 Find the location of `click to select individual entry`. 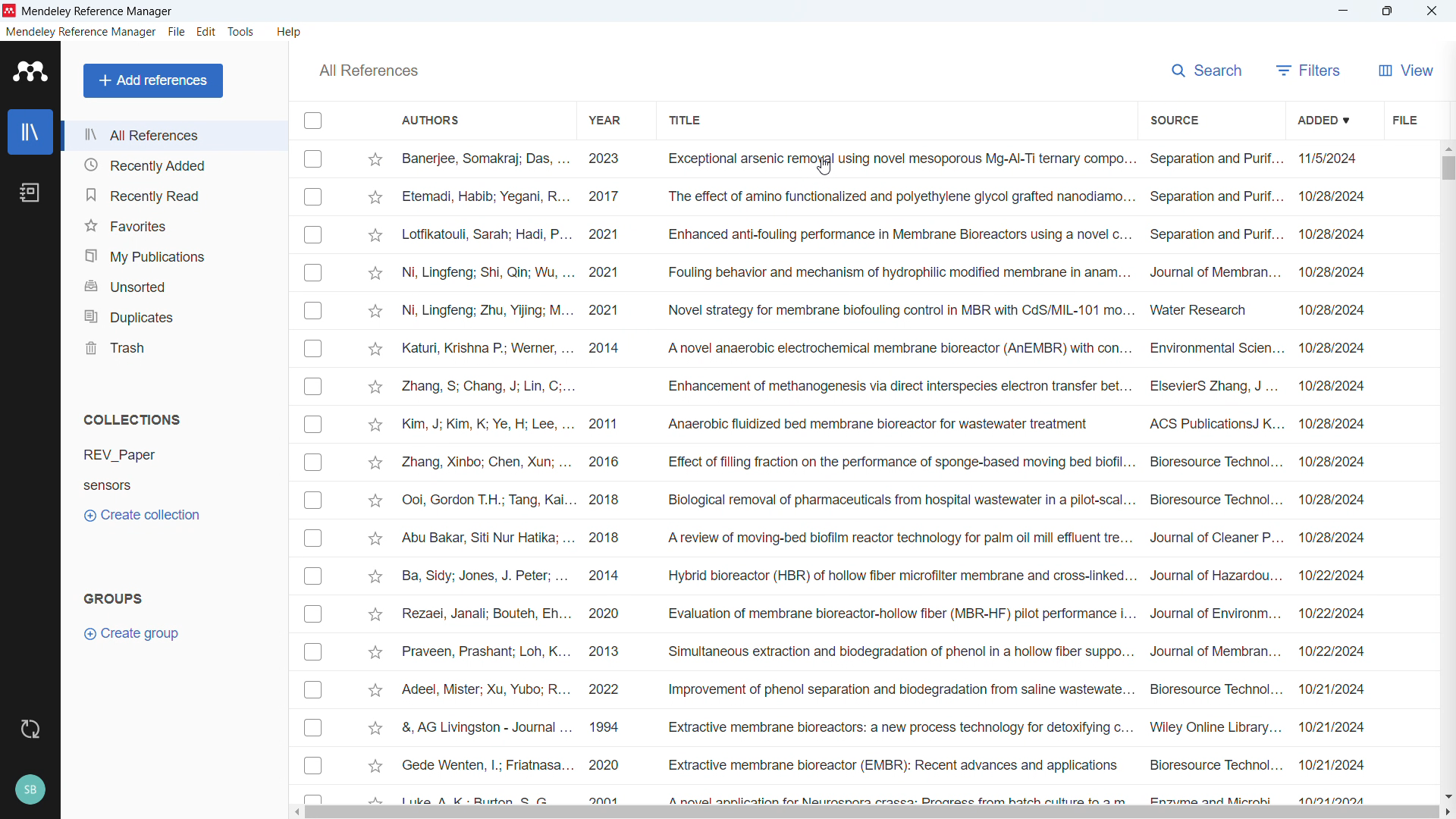

click to select individual entry is located at coordinates (312, 234).